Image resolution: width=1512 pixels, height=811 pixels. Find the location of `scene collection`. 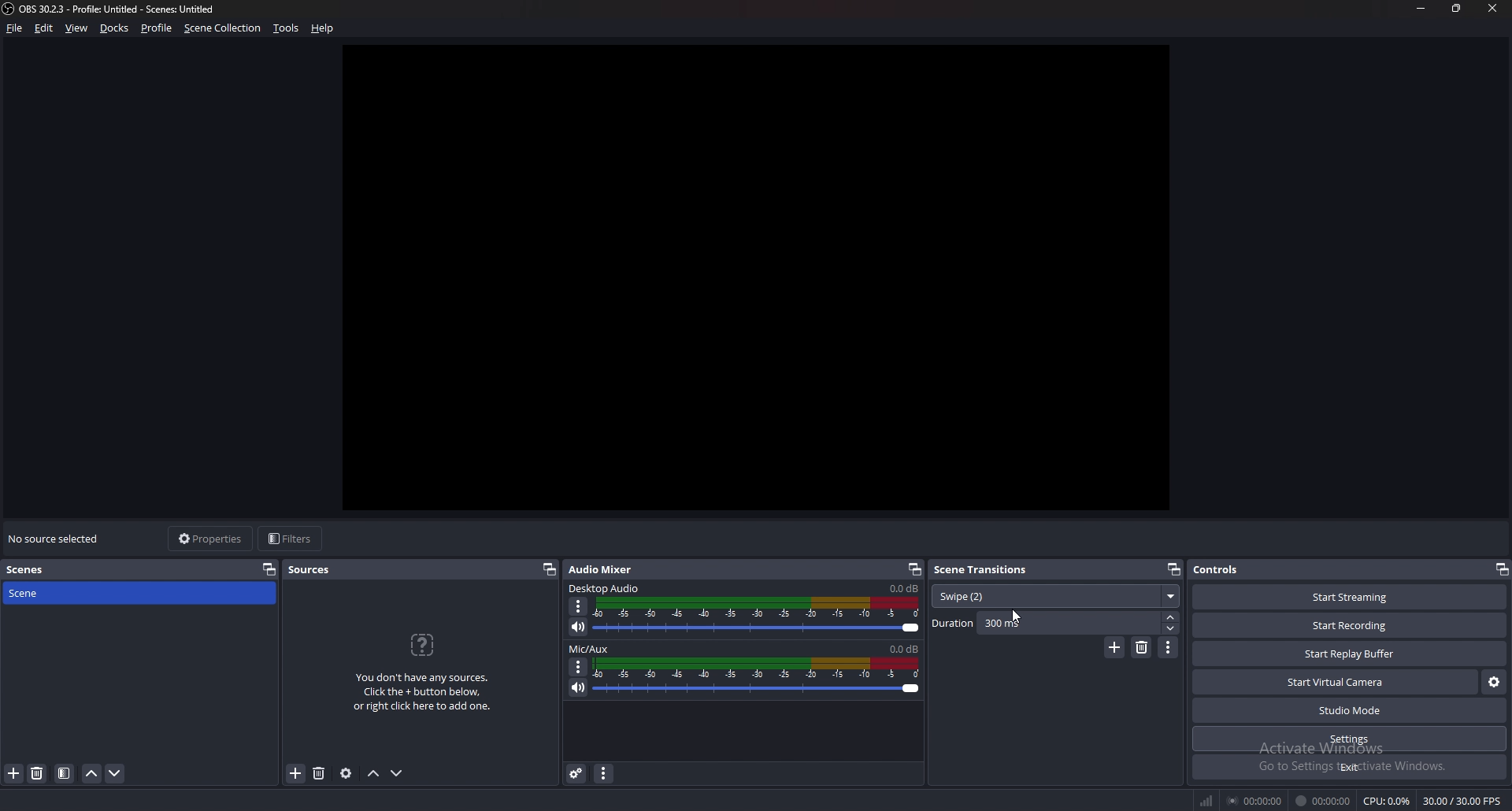

scene collection is located at coordinates (224, 27).